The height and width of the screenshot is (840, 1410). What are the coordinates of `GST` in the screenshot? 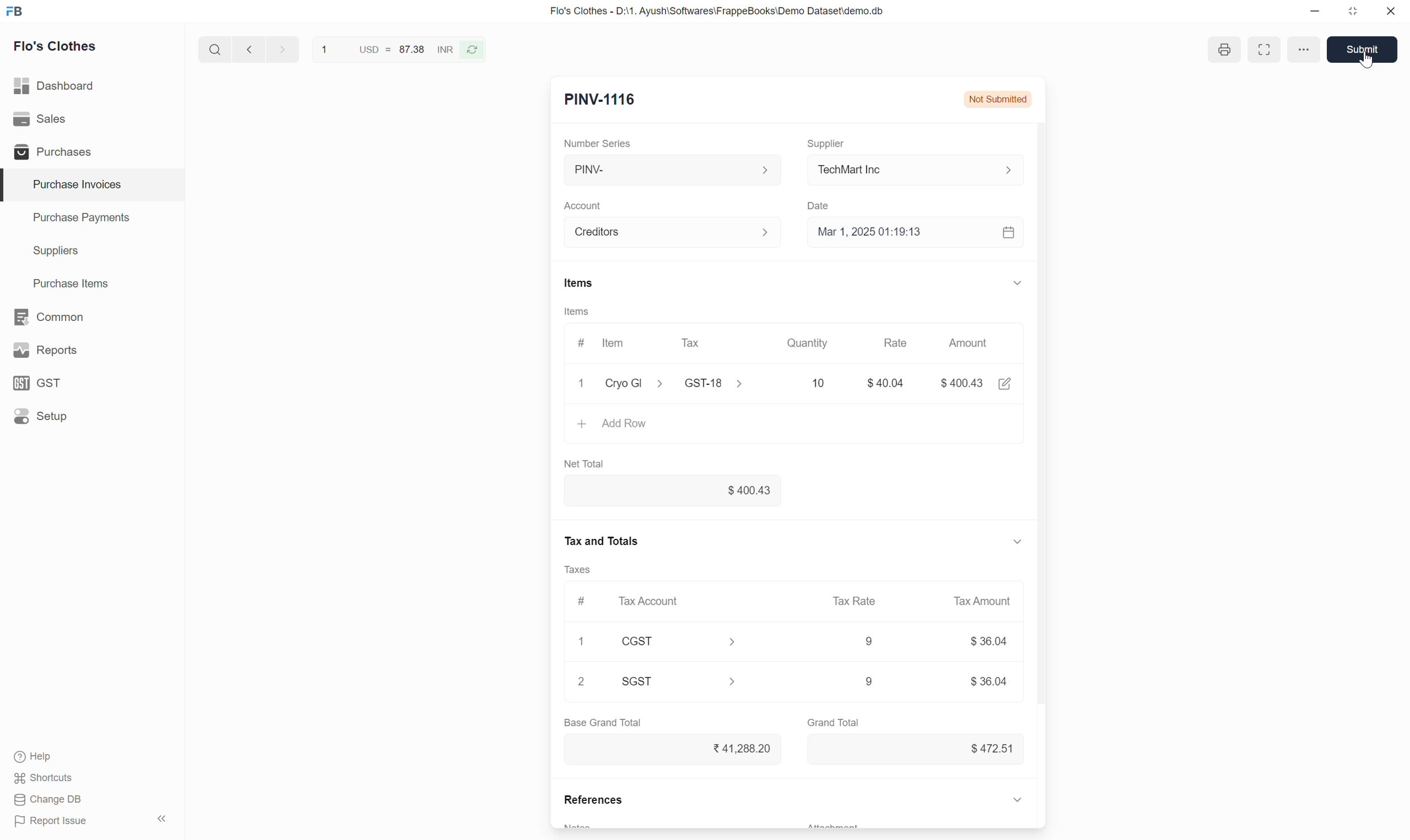 It's located at (42, 383).